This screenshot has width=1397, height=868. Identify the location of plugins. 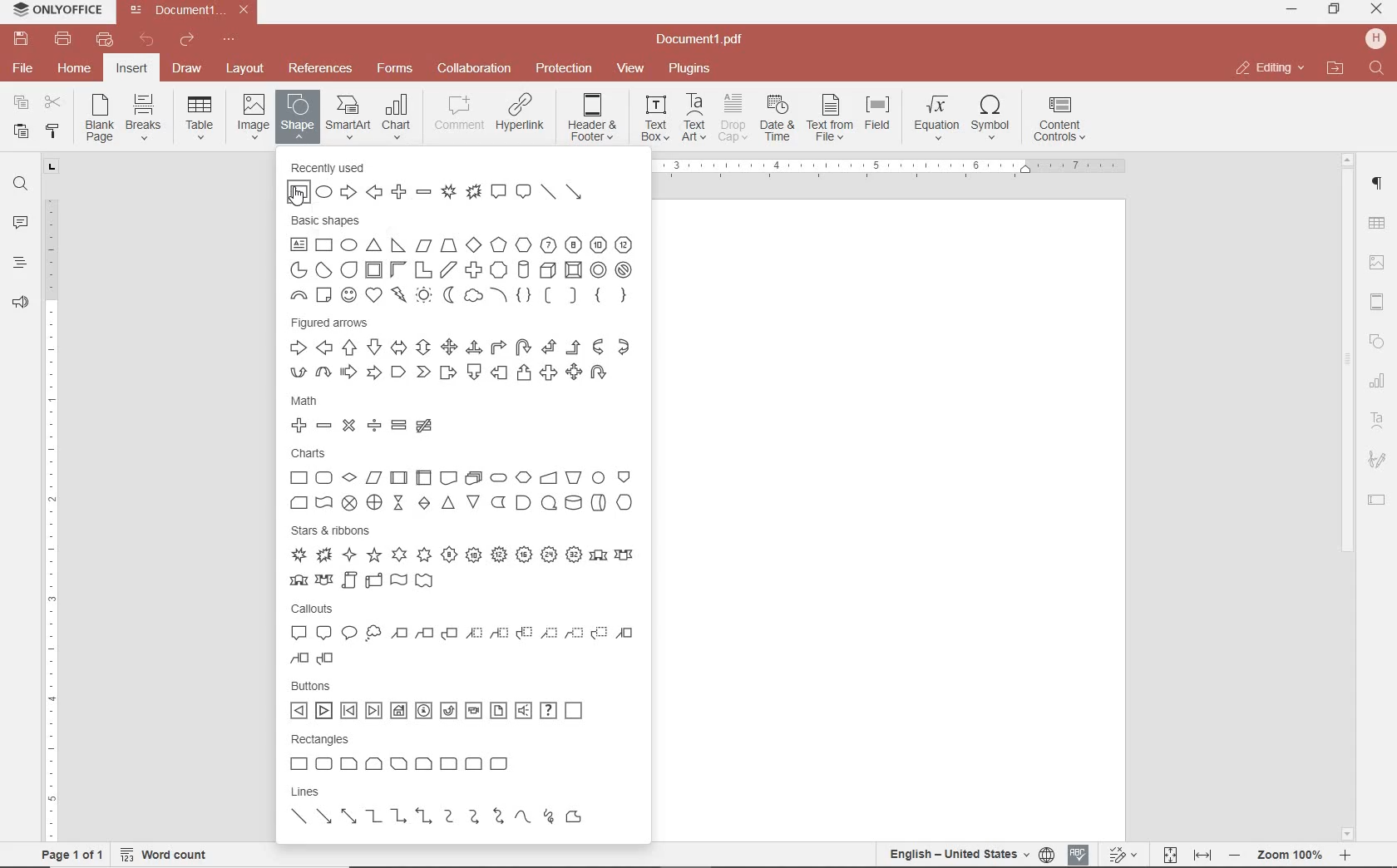
(693, 69).